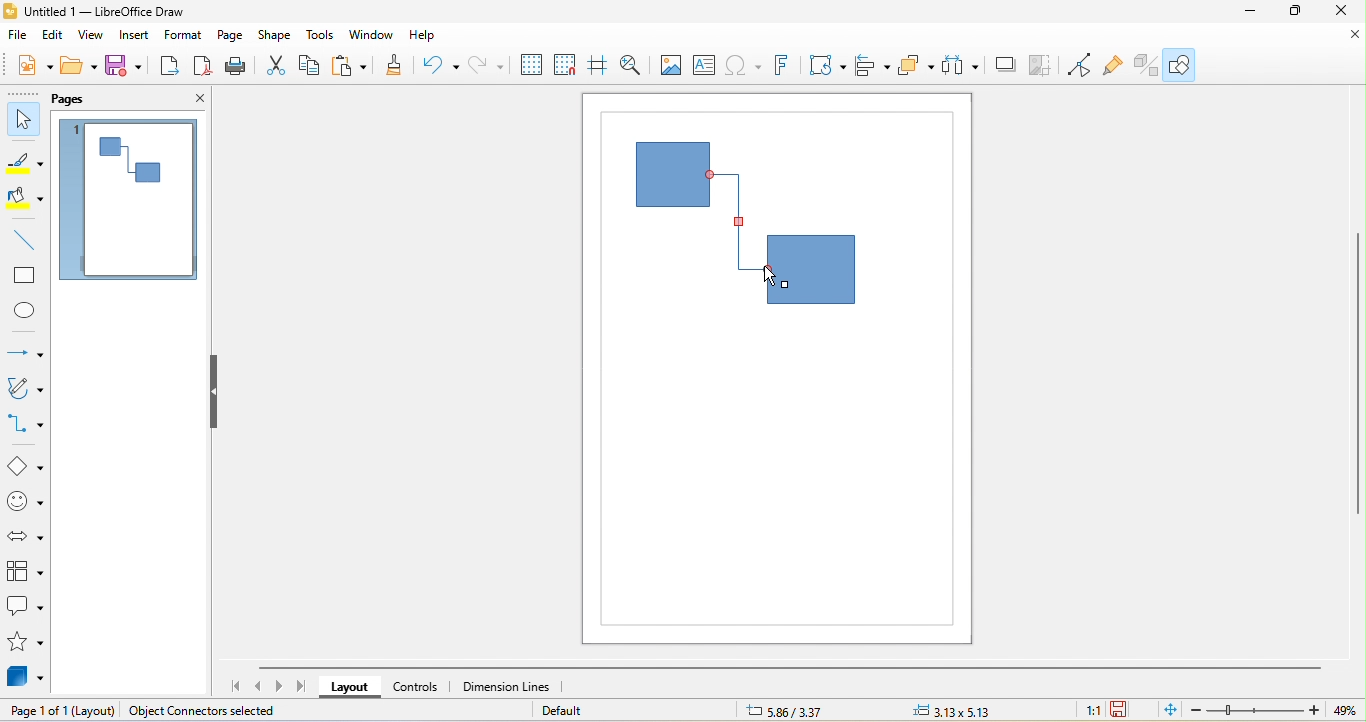 The height and width of the screenshot is (722, 1366). I want to click on default, so click(576, 711).